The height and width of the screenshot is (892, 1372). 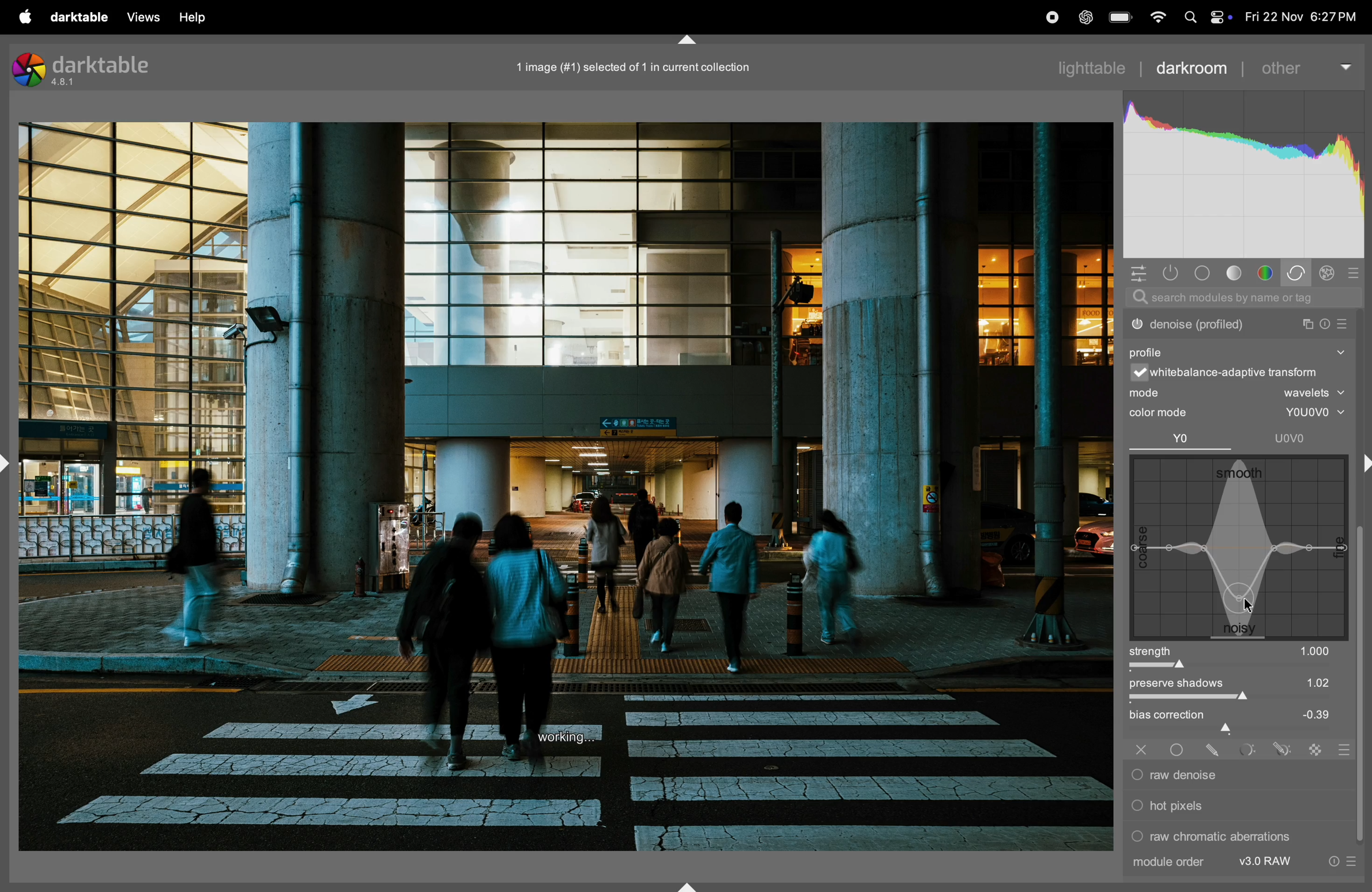 What do you see at coordinates (1323, 324) in the screenshot?
I see `reset` at bounding box center [1323, 324].